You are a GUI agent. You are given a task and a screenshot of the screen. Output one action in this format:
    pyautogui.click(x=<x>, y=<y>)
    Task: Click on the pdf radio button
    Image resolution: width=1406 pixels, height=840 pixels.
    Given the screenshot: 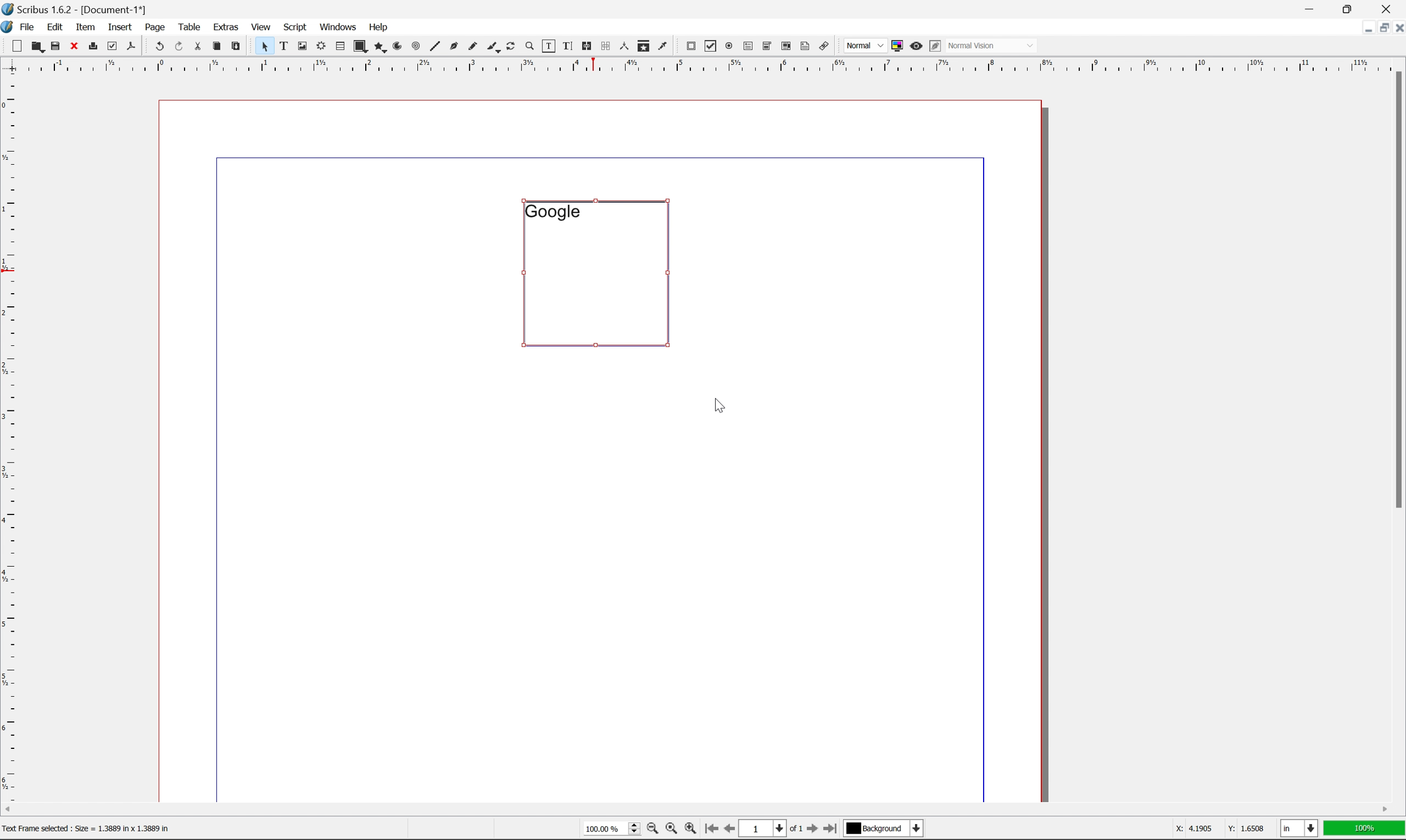 What is the action you would take?
    pyautogui.click(x=726, y=46)
    